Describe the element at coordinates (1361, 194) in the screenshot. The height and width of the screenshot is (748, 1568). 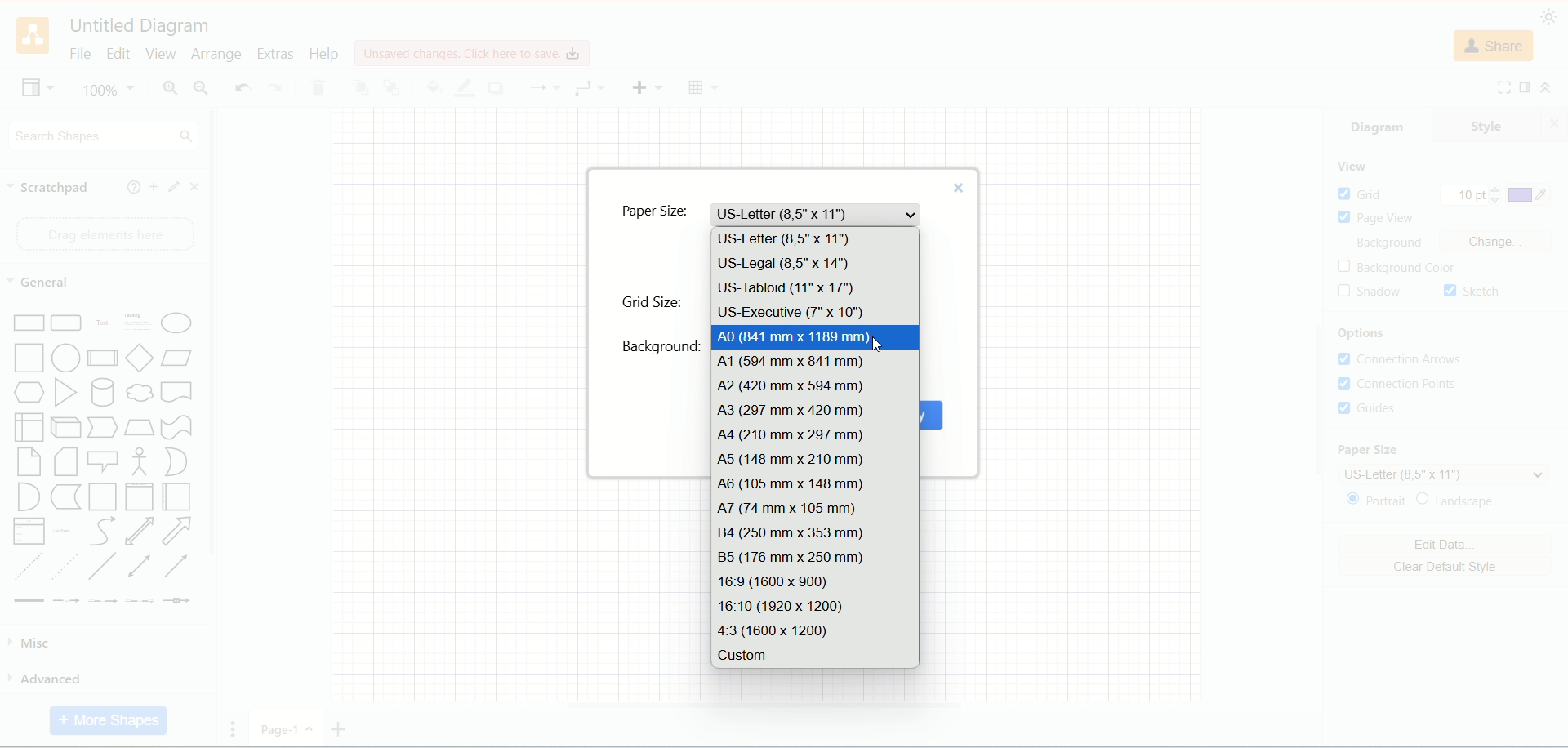
I see `grid` at that location.